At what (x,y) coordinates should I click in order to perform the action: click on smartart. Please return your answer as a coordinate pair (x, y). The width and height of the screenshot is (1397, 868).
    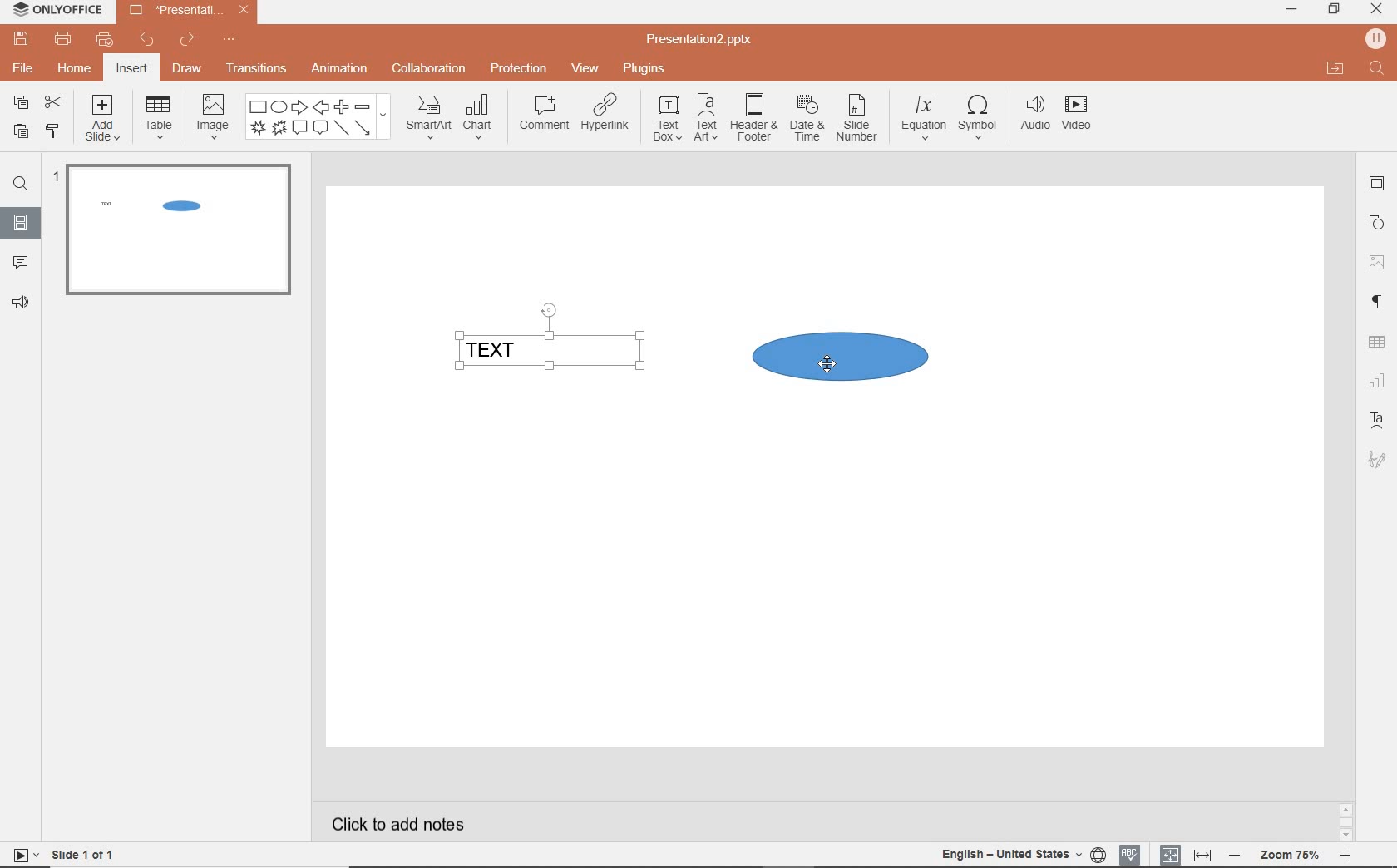
    Looking at the image, I should click on (428, 116).